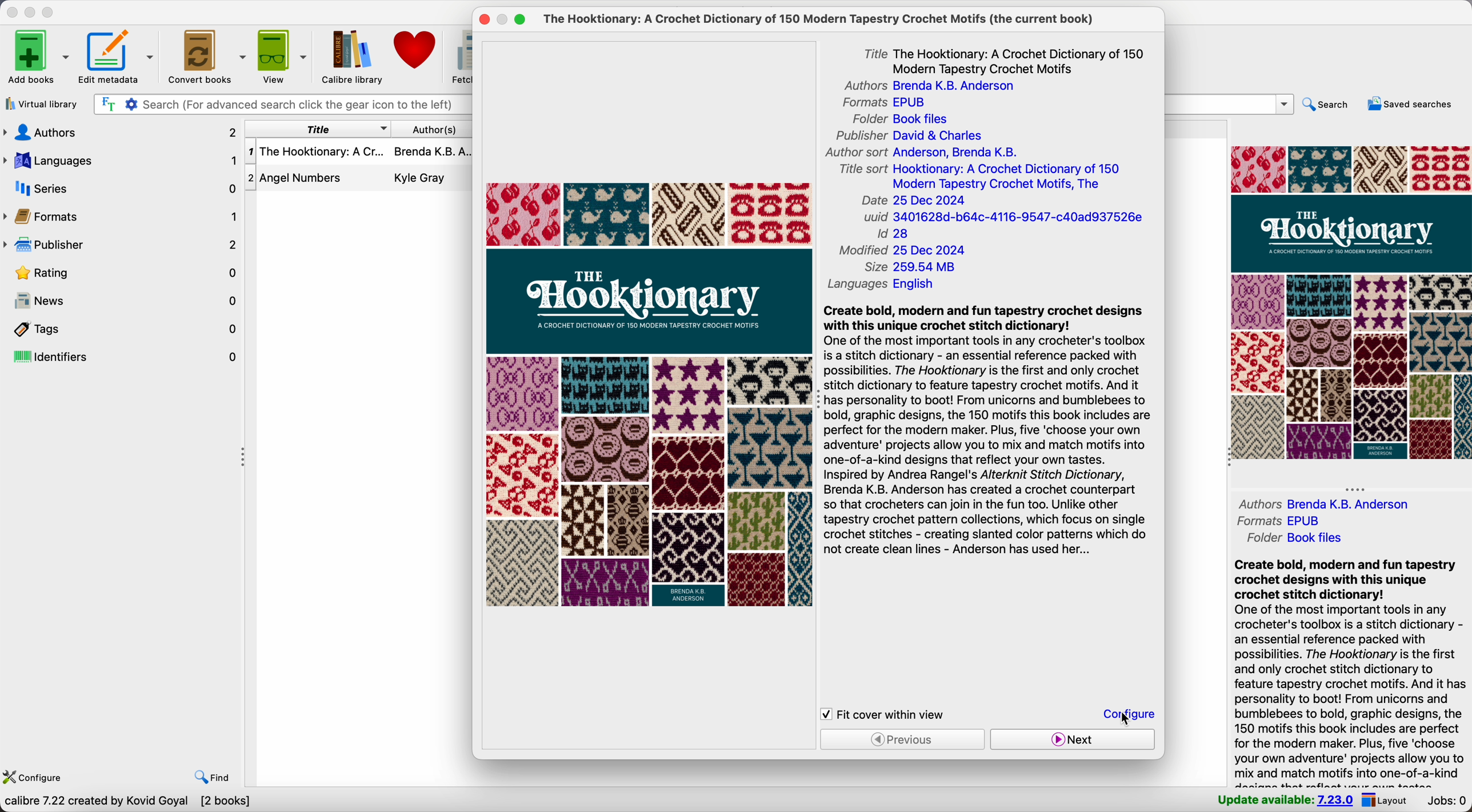 The image size is (1472, 812). I want to click on view, so click(282, 55).